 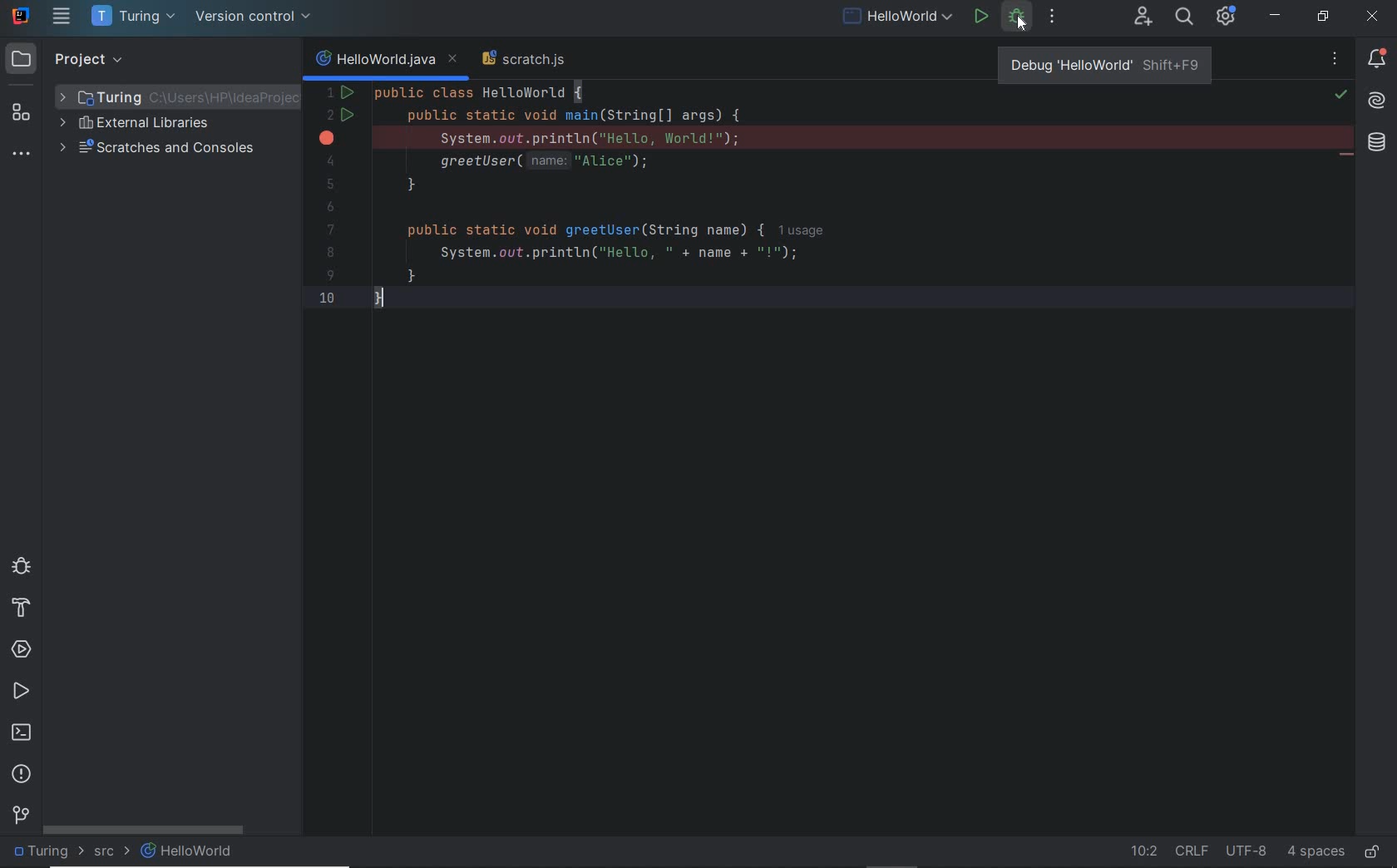 I want to click on notifications, so click(x=1378, y=58).